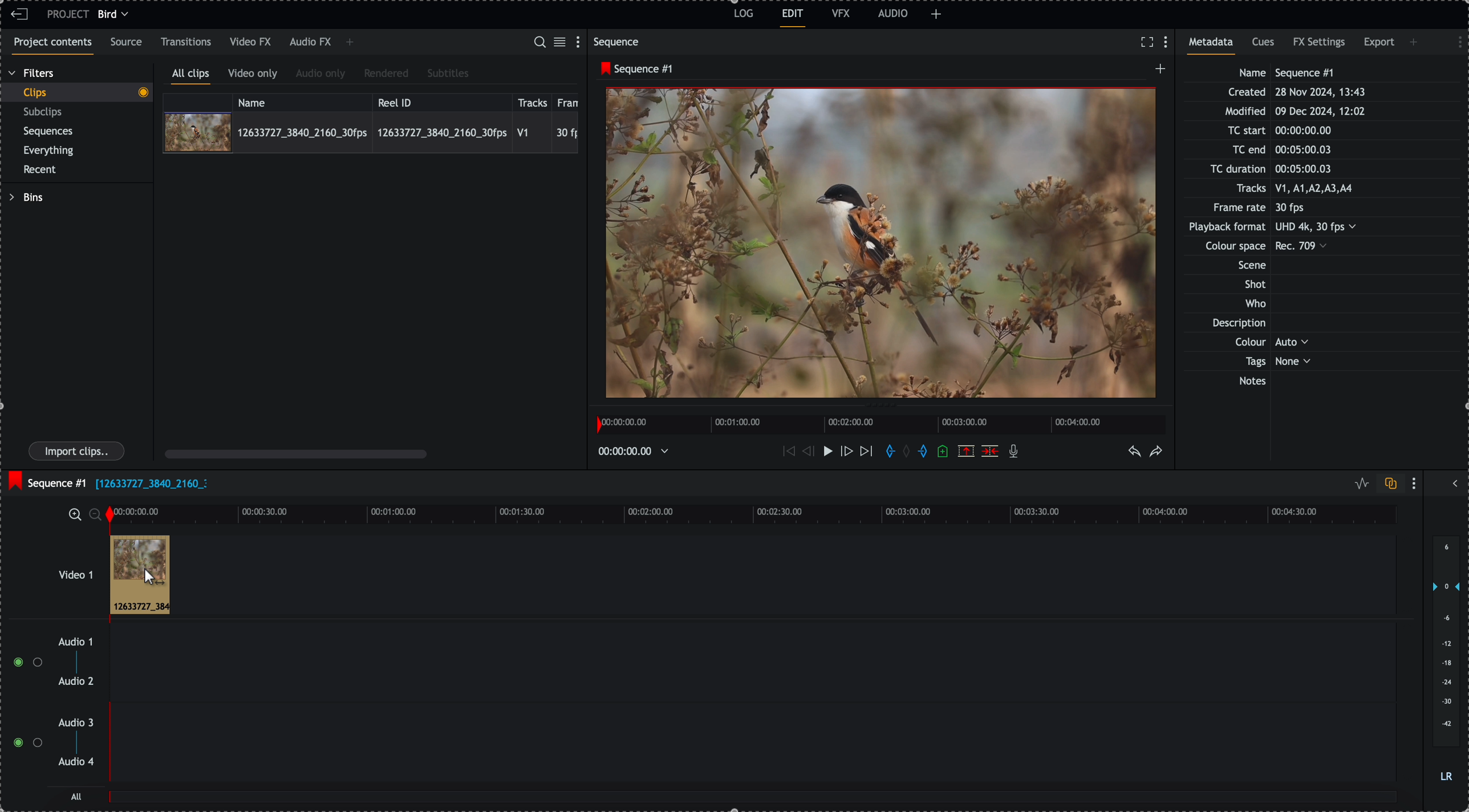  Describe the element at coordinates (1147, 42) in the screenshot. I see `fullscreen` at that location.